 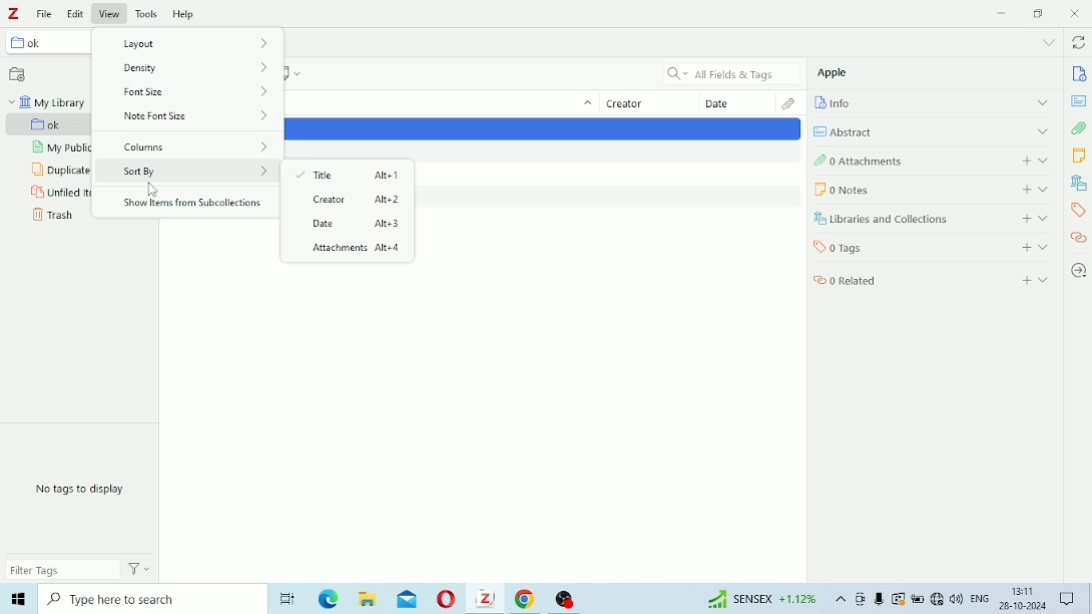 What do you see at coordinates (81, 571) in the screenshot?
I see `Filter Tags.` at bounding box center [81, 571].